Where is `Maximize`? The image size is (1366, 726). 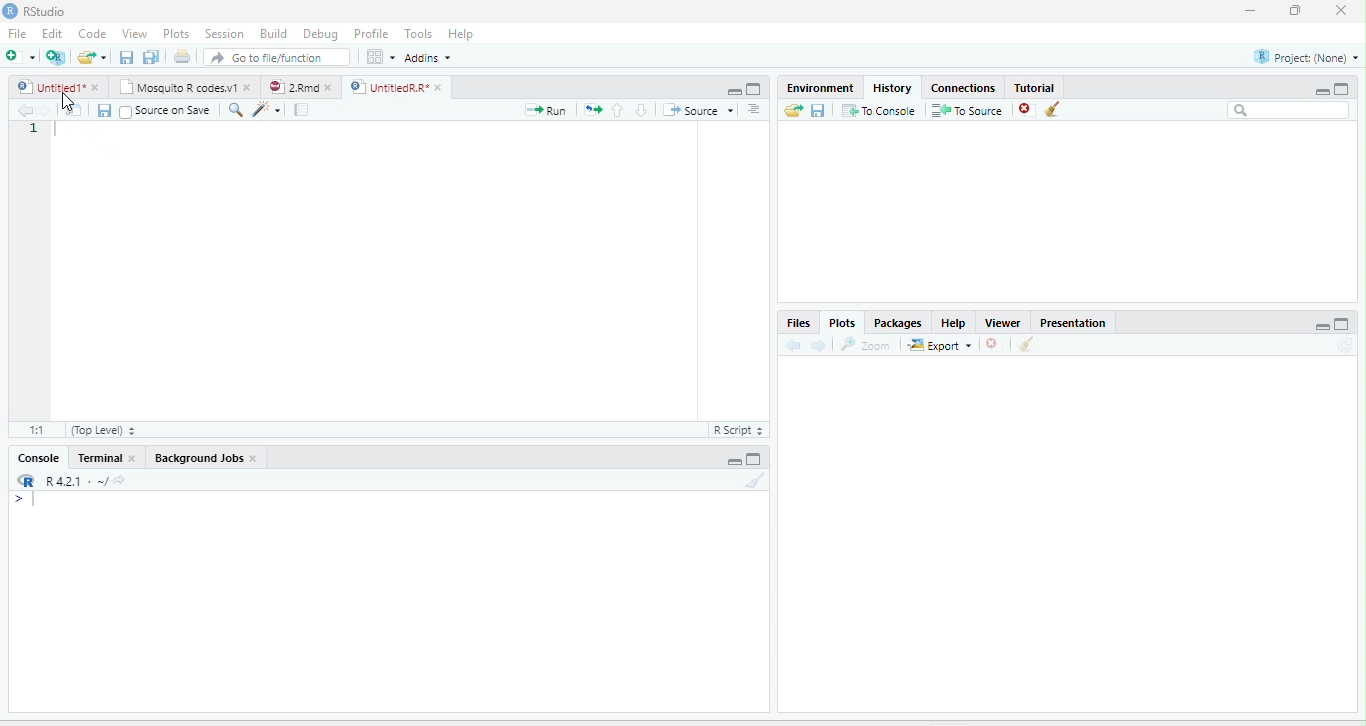
Maximize is located at coordinates (755, 89).